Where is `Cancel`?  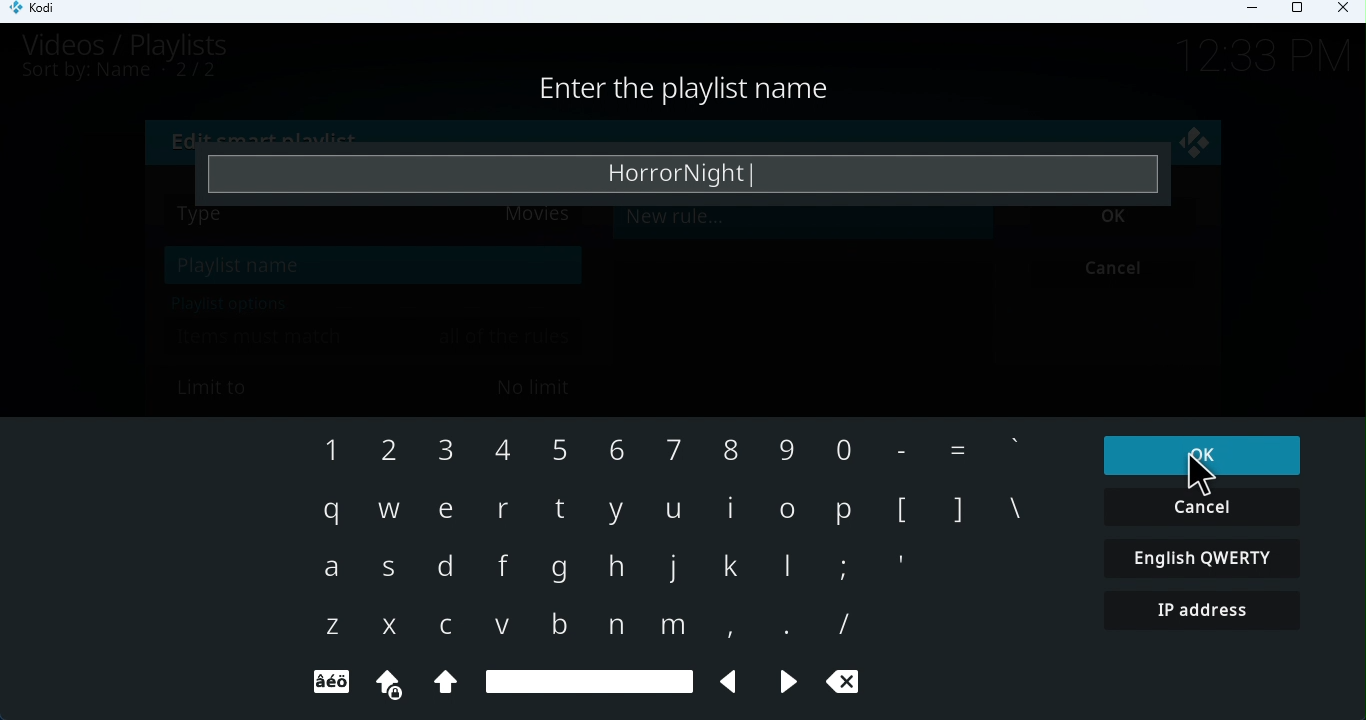
Cancel is located at coordinates (1202, 507).